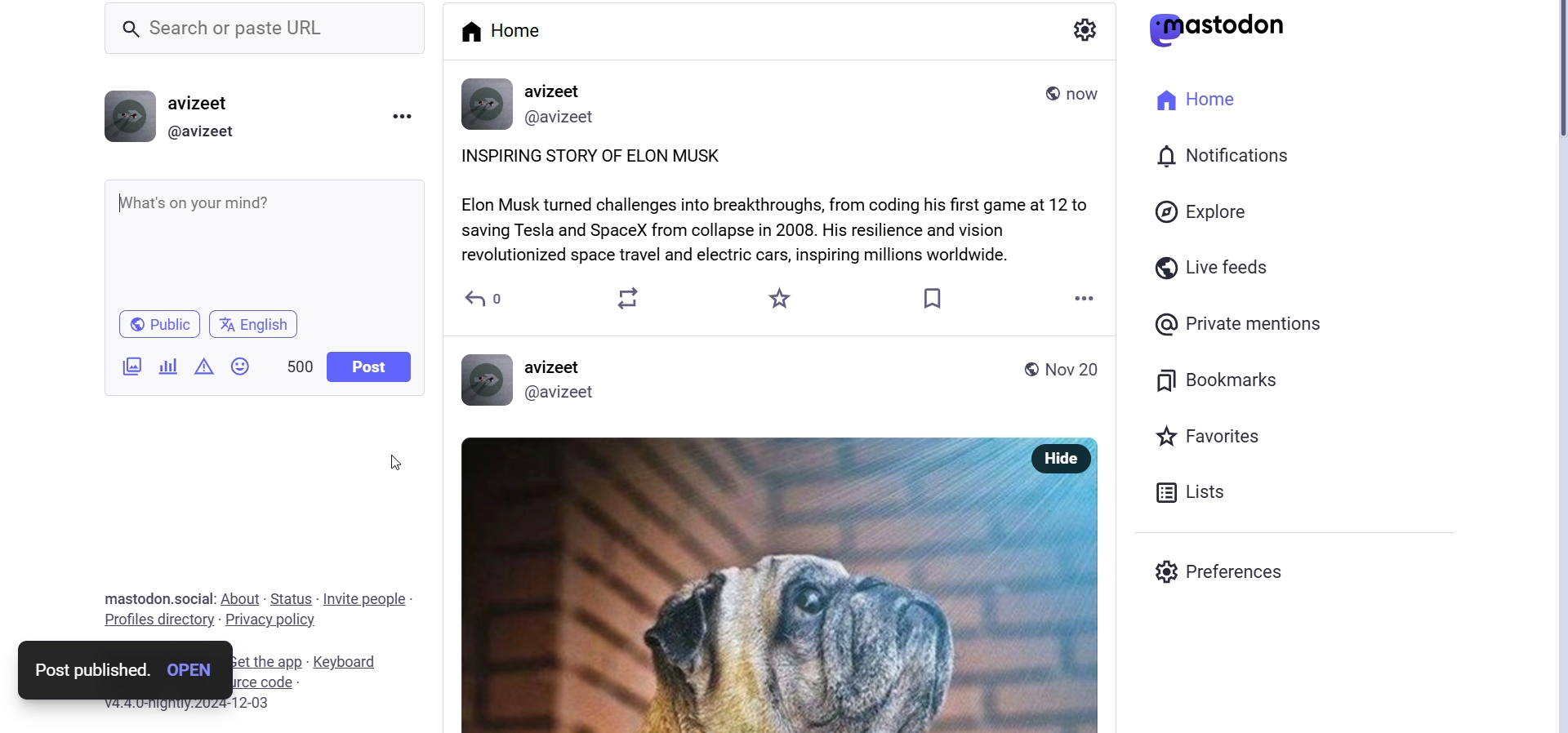  What do you see at coordinates (372, 366) in the screenshot?
I see `post` at bounding box center [372, 366].